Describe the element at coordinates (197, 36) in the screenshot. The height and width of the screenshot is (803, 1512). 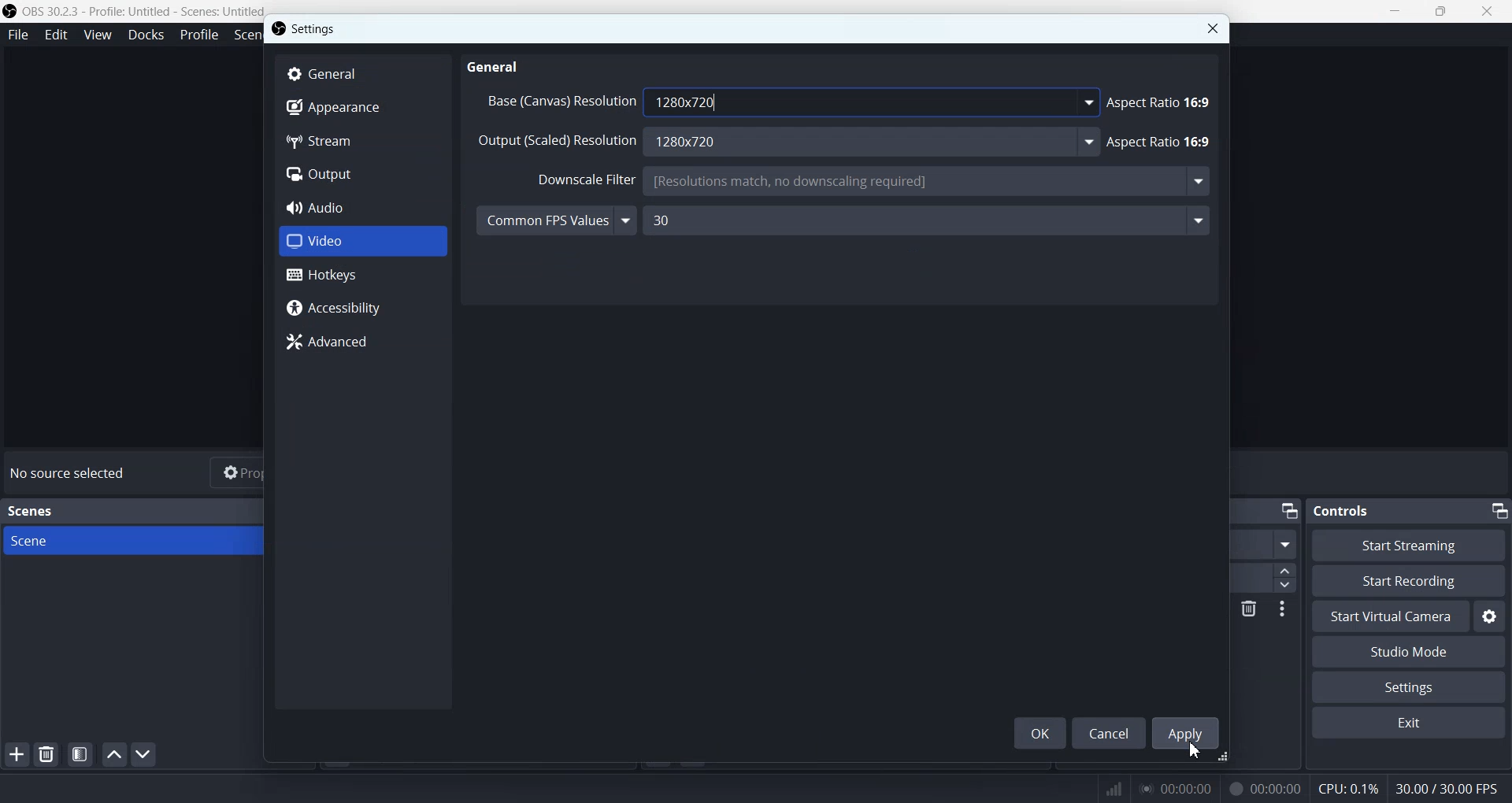
I see `Profile` at that location.